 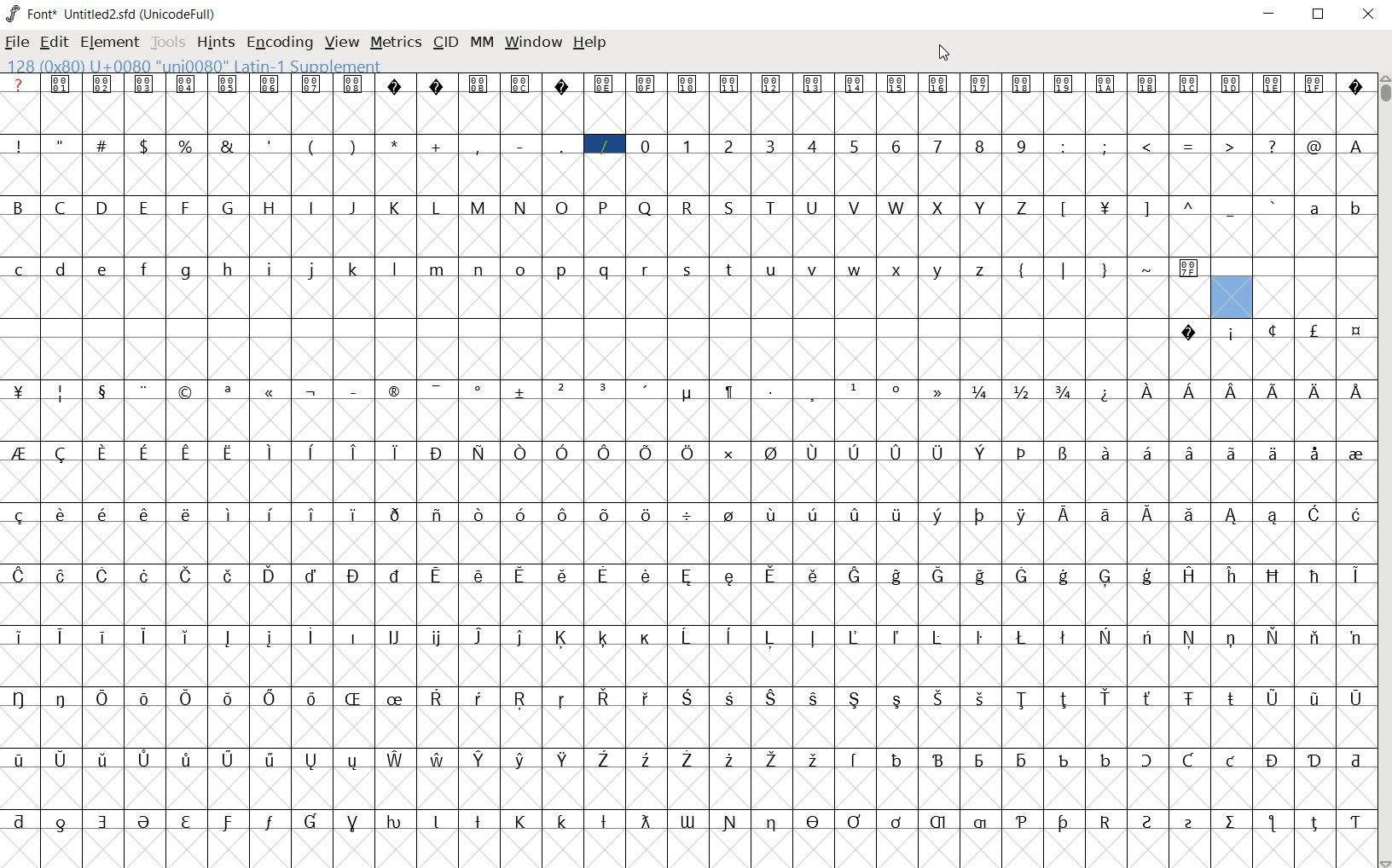 What do you see at coordinates (19, 84) in the screenshot?
I see `Glyph` at bounding box center [19, 84].